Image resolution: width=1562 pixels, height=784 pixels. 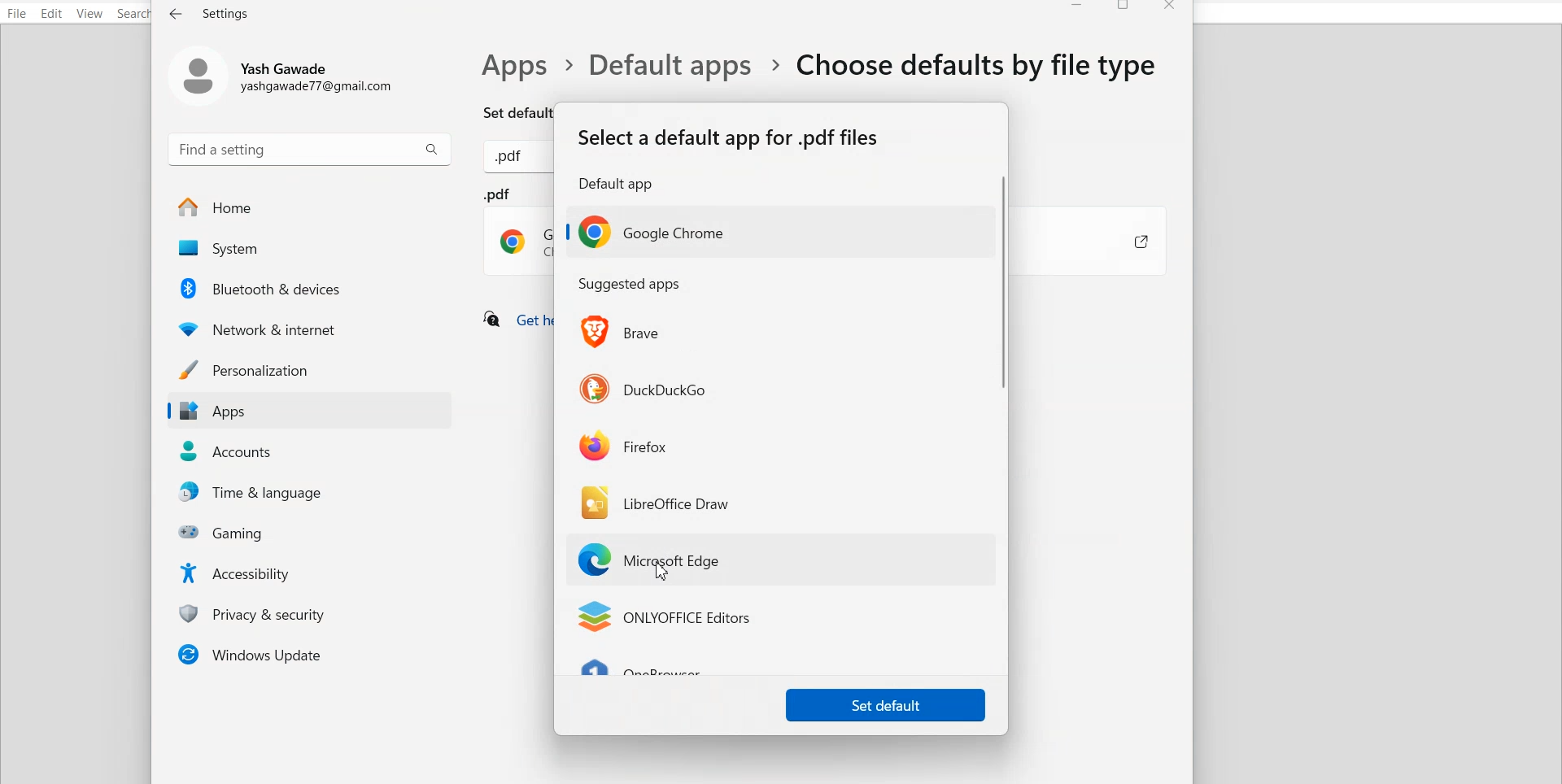 I want to click on ONLYOFFICE Editor, so click(x=664, y=617).